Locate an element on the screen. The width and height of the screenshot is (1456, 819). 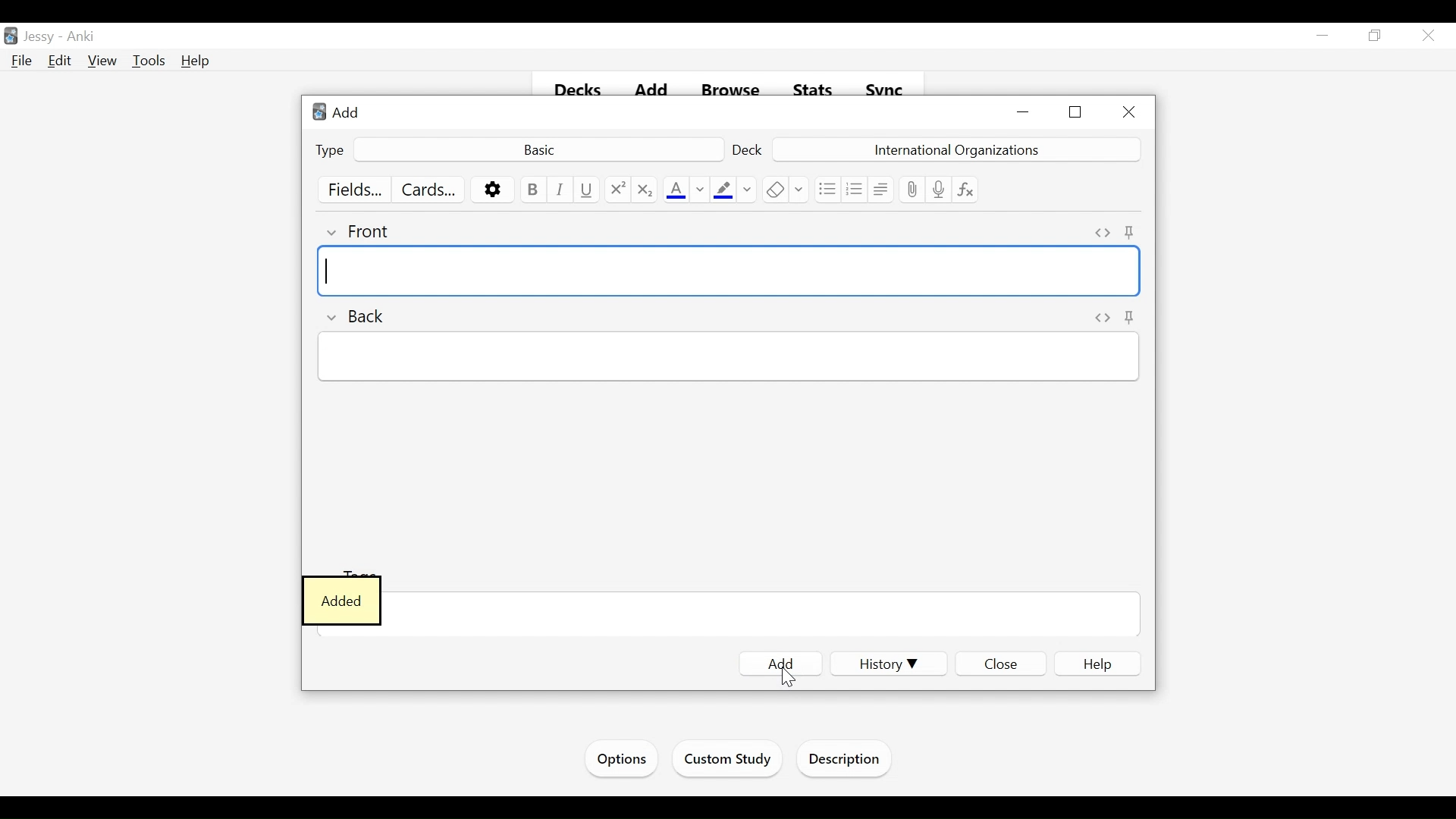
Restore is located at coordinates (1377, 35).